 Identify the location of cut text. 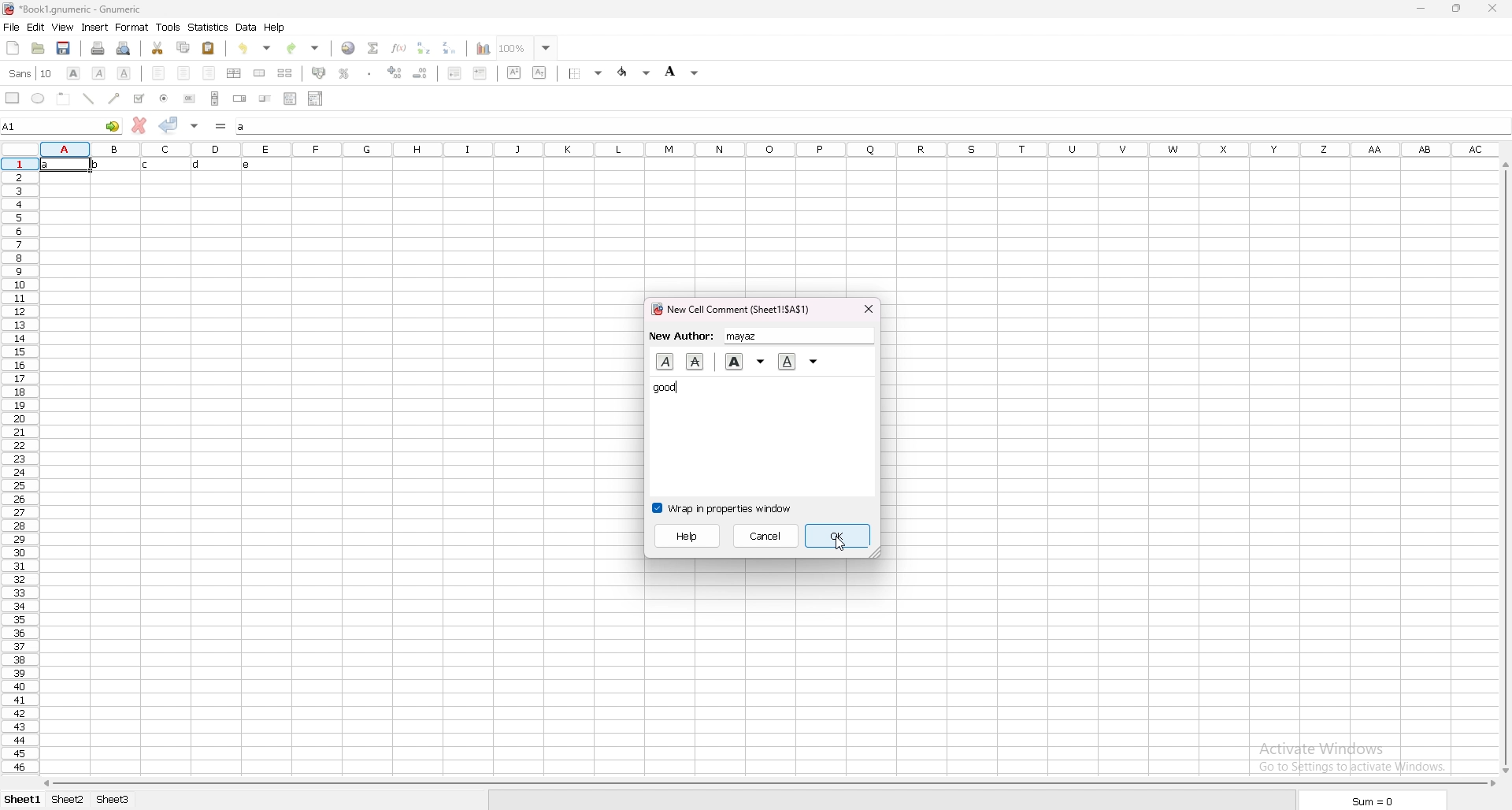
(695, 361).